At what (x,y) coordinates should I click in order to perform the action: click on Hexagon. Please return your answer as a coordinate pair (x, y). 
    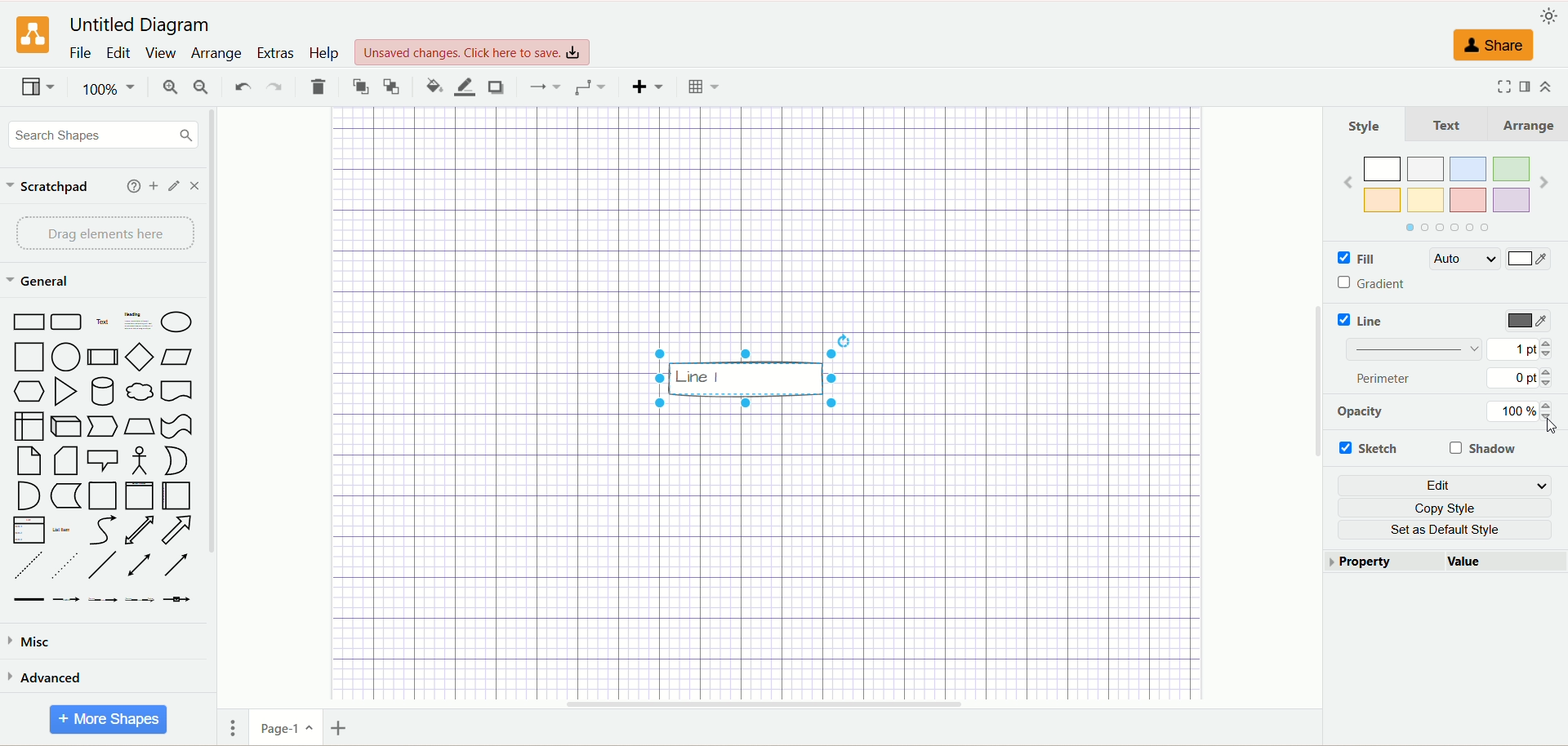
    Looking at the image, I should click on (29, 393).